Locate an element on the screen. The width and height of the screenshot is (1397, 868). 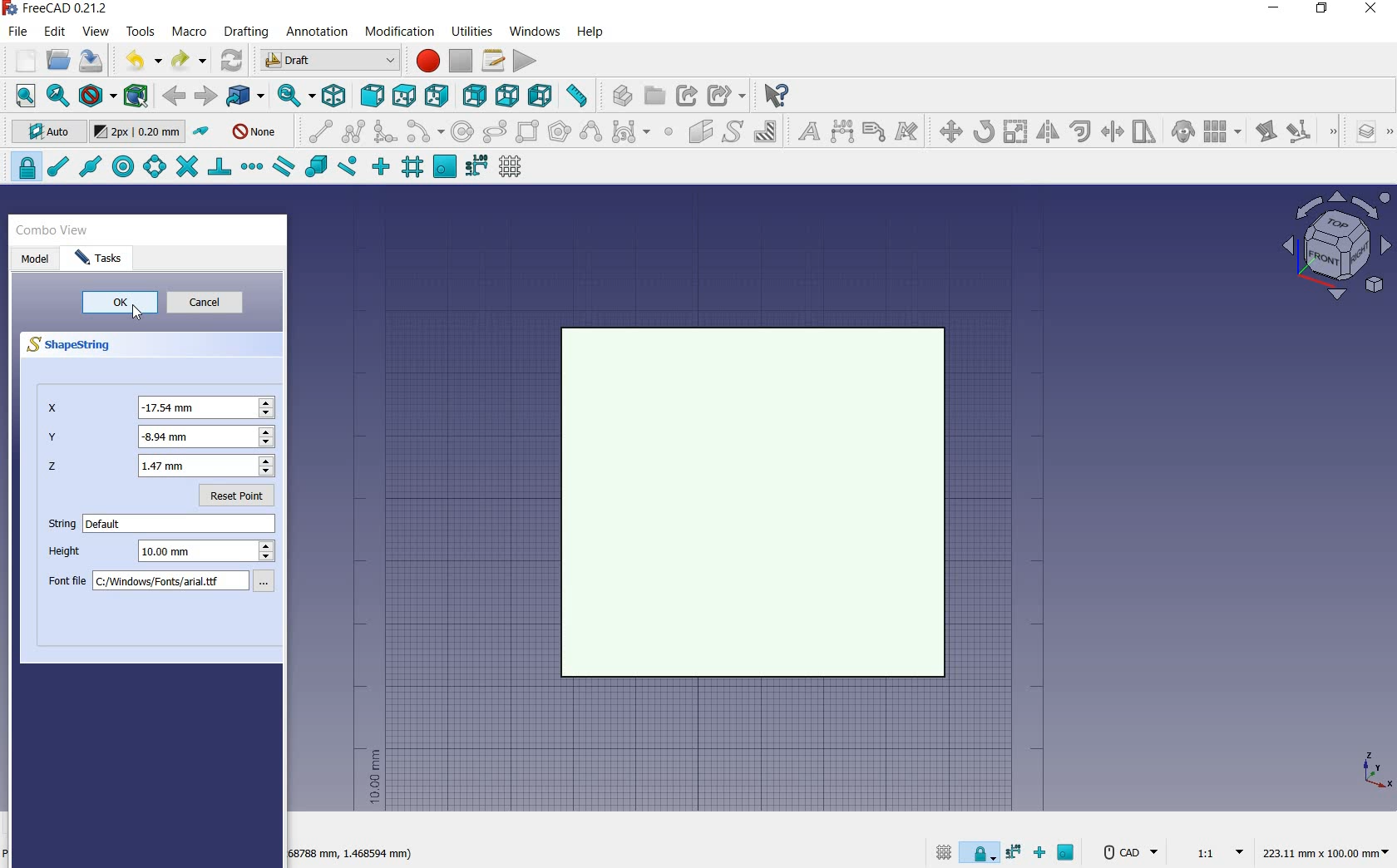
rotate is located at coordinates (984, 131).